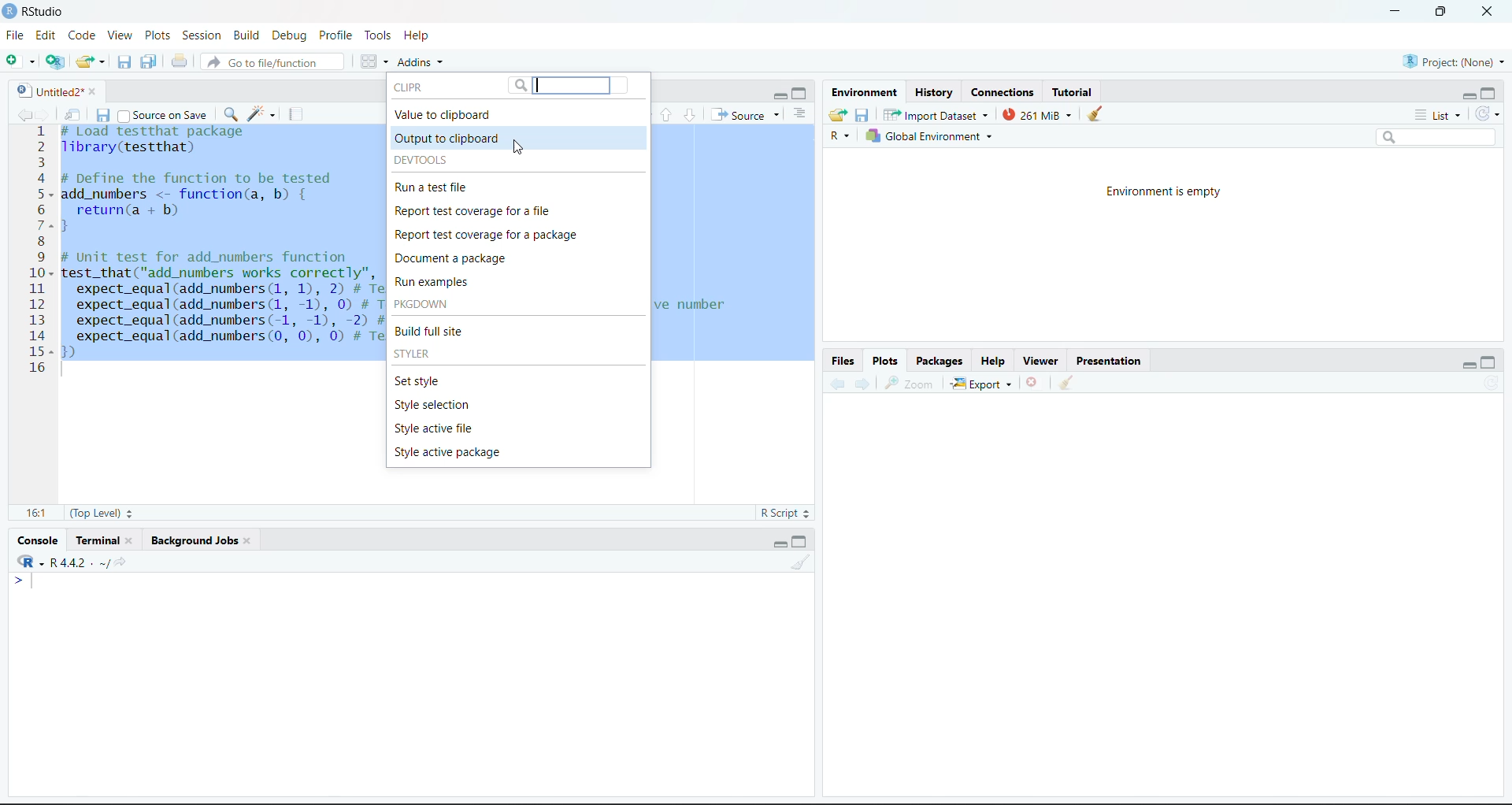 Image resolution: width=1512 pixels, height=805 pixels. What do you see at coordinates (1488, 12) in the screenshot?
I see `close` at bounding box center [1488, 12].